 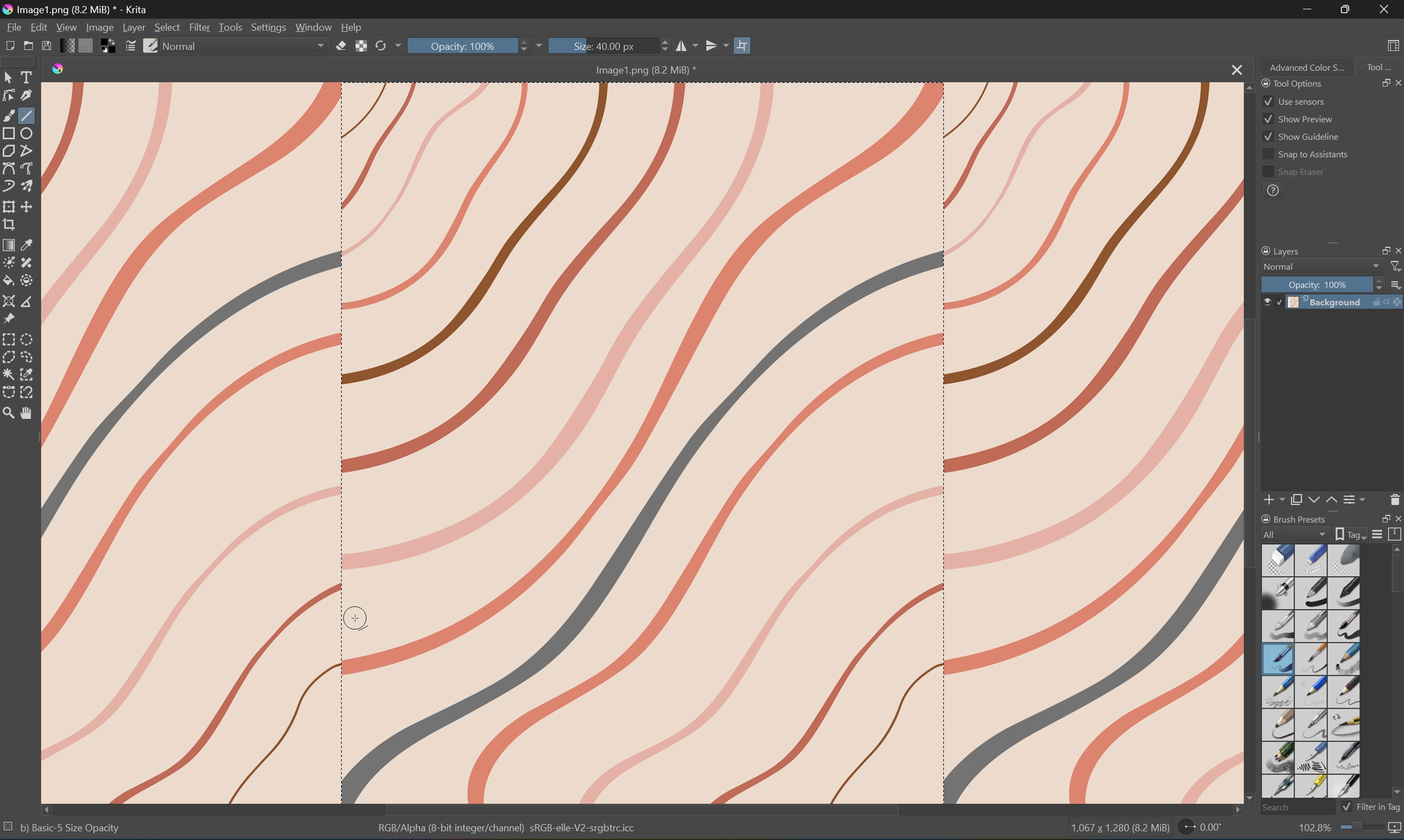 What do you see at coordinates (30, 338) in the screenshot?
I see `Elliptical selection tool` at bounding box center [30, 338].